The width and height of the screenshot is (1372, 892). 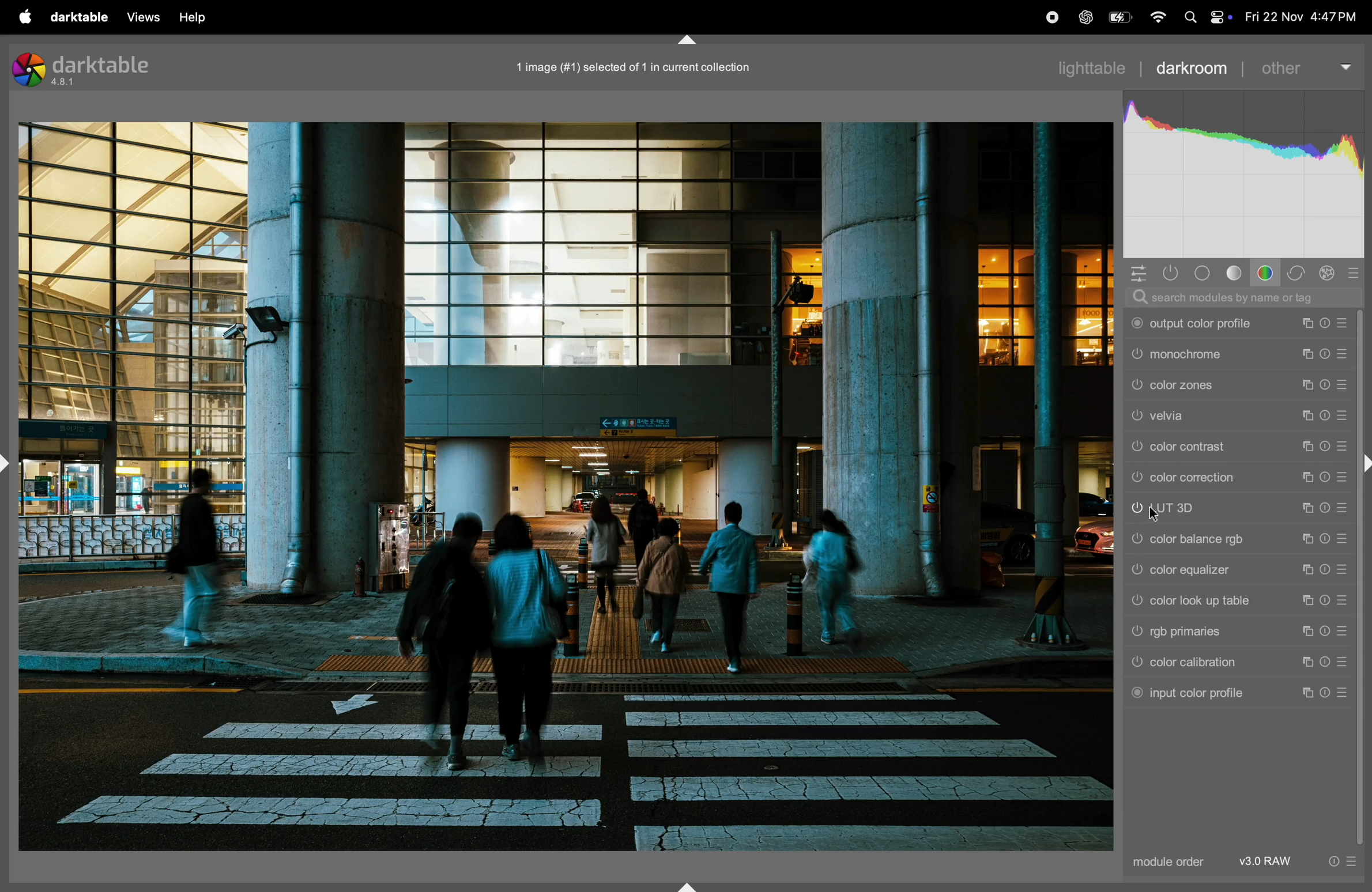 What do you see at coordinates (1217, 356) in the screenshot?
I see `monchrome` at bounding box center [1217, 356].